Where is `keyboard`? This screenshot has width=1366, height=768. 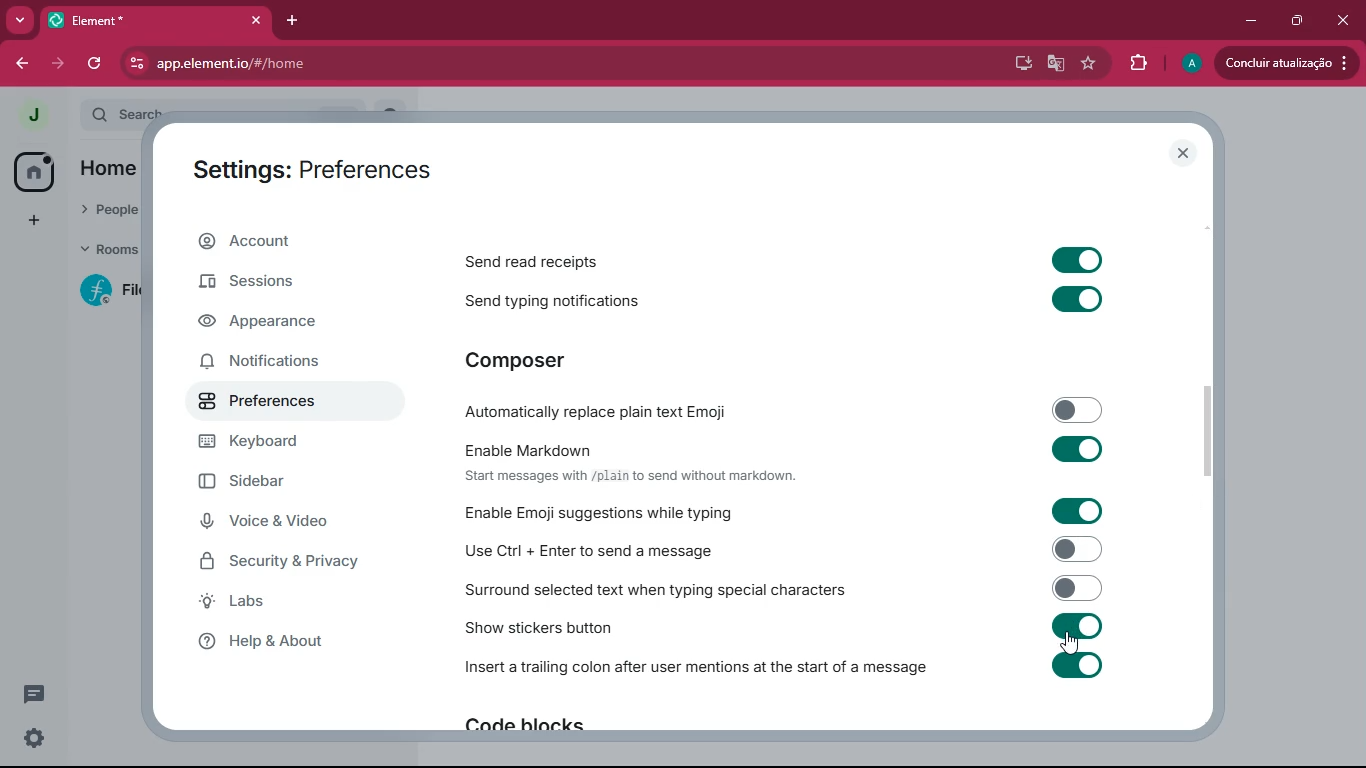
keyboard is located at coordinates (273, 444).